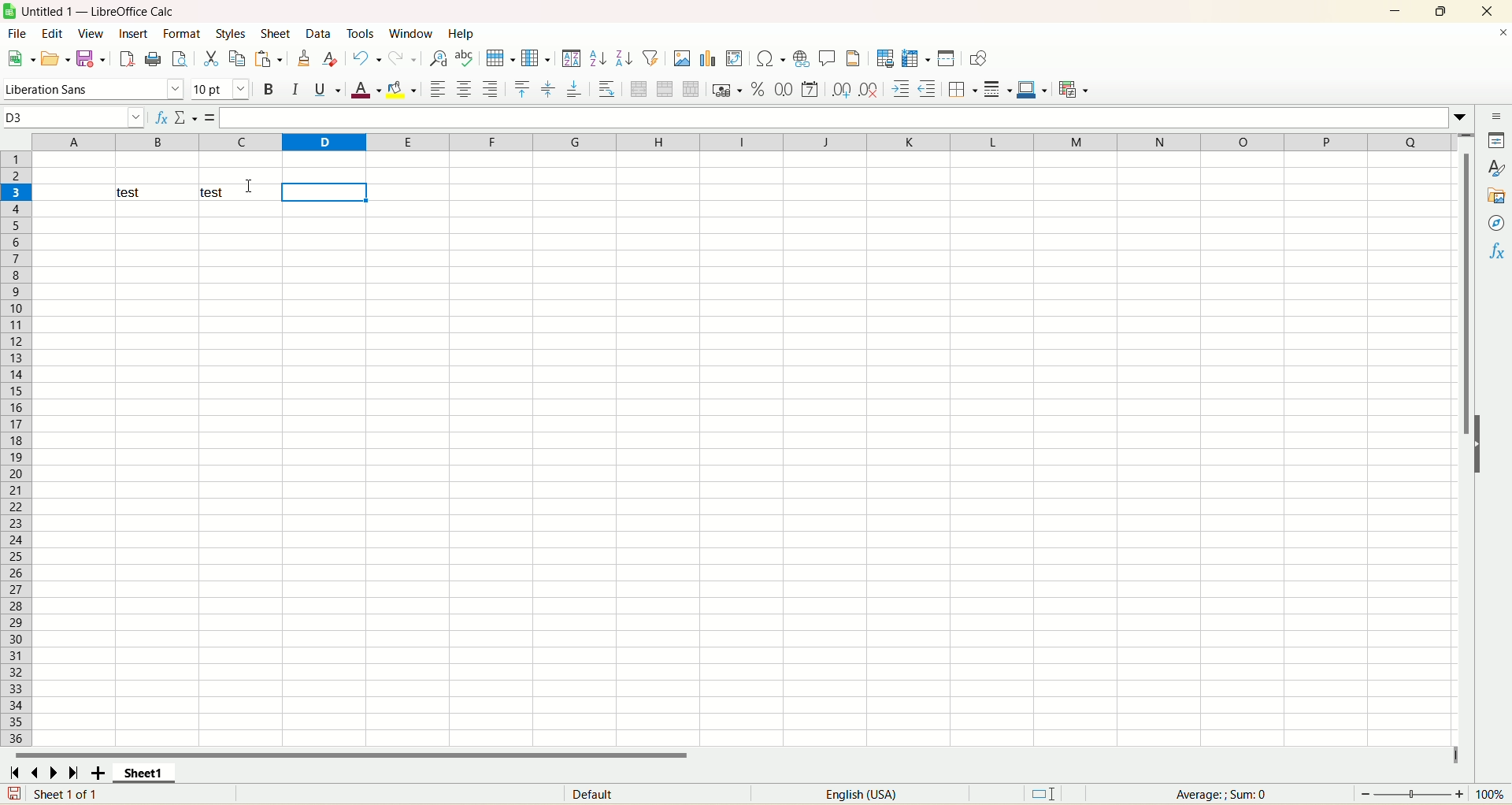 This screenshot has height=805, width=1512. What do you see at coordinates (13, 772) in the screenshot?
I see `first sheet` at bounding box center [13, 772].